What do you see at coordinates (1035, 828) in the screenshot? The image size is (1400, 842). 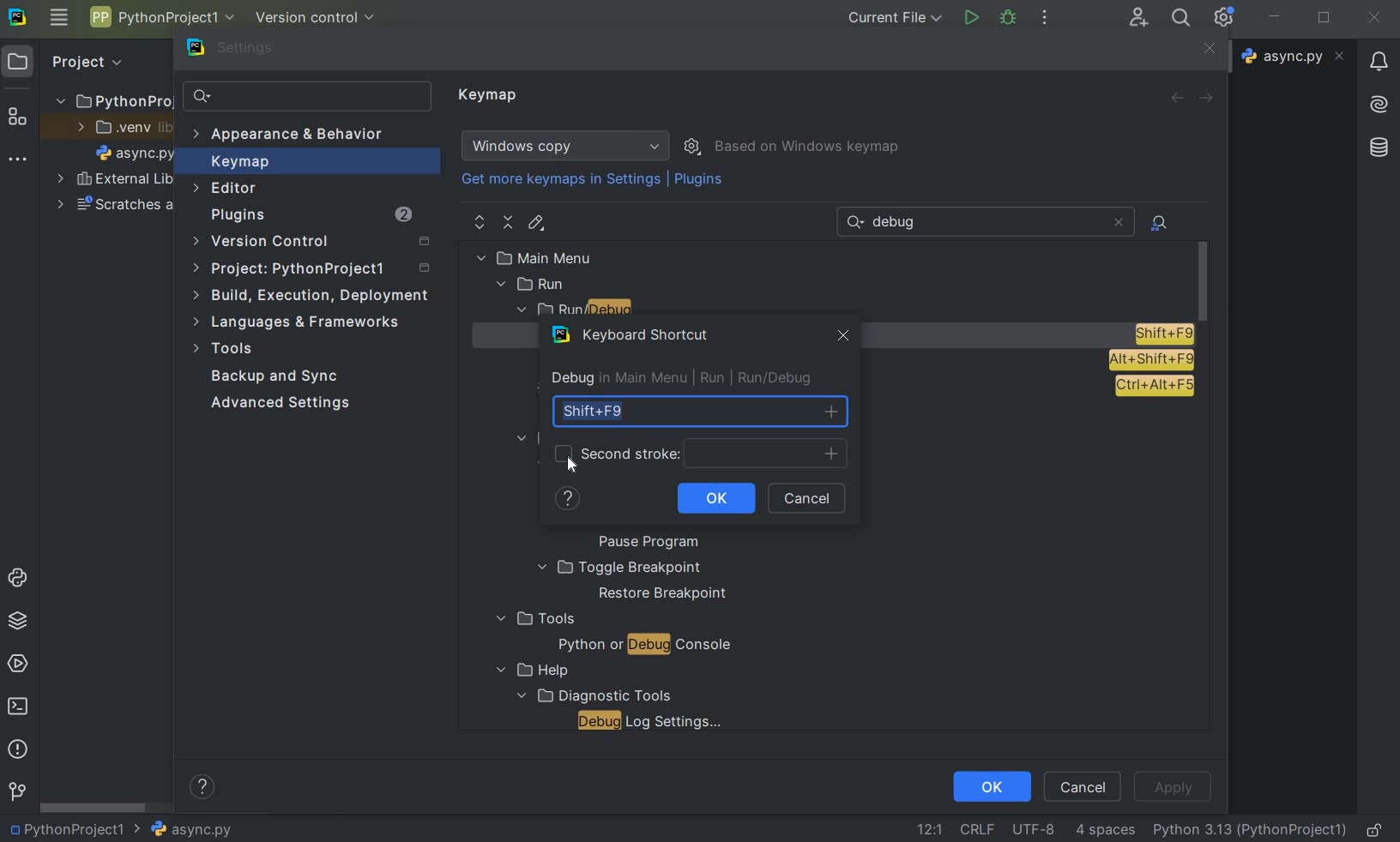 I see `file encoding` at bounding box center [1035, 828].